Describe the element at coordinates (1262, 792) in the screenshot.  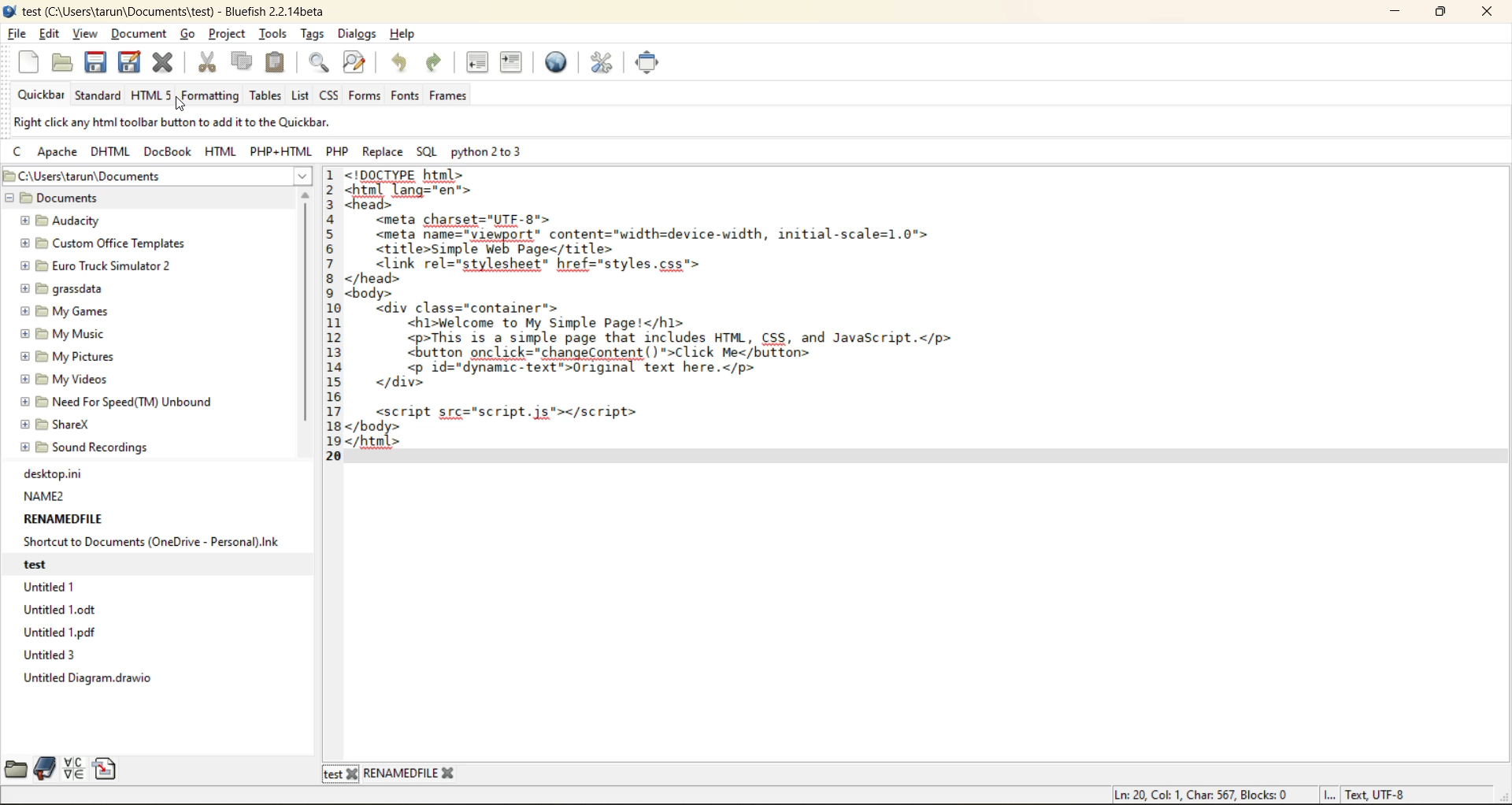
I see `metadata` at that location.